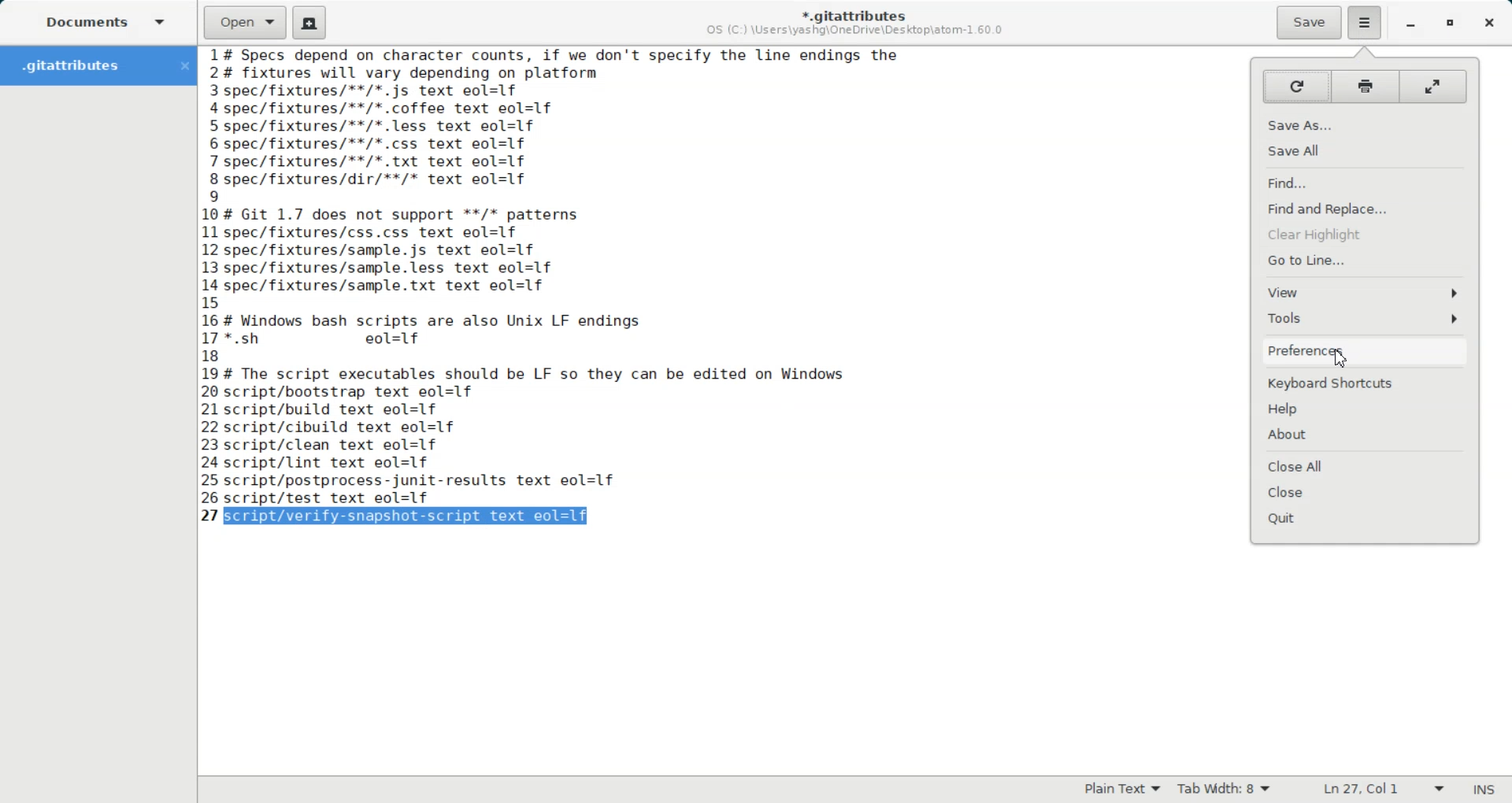  What do you see at coordinates (1484, 789) in the screenshot?
I see `INS` at bounding box center [1484, 789].